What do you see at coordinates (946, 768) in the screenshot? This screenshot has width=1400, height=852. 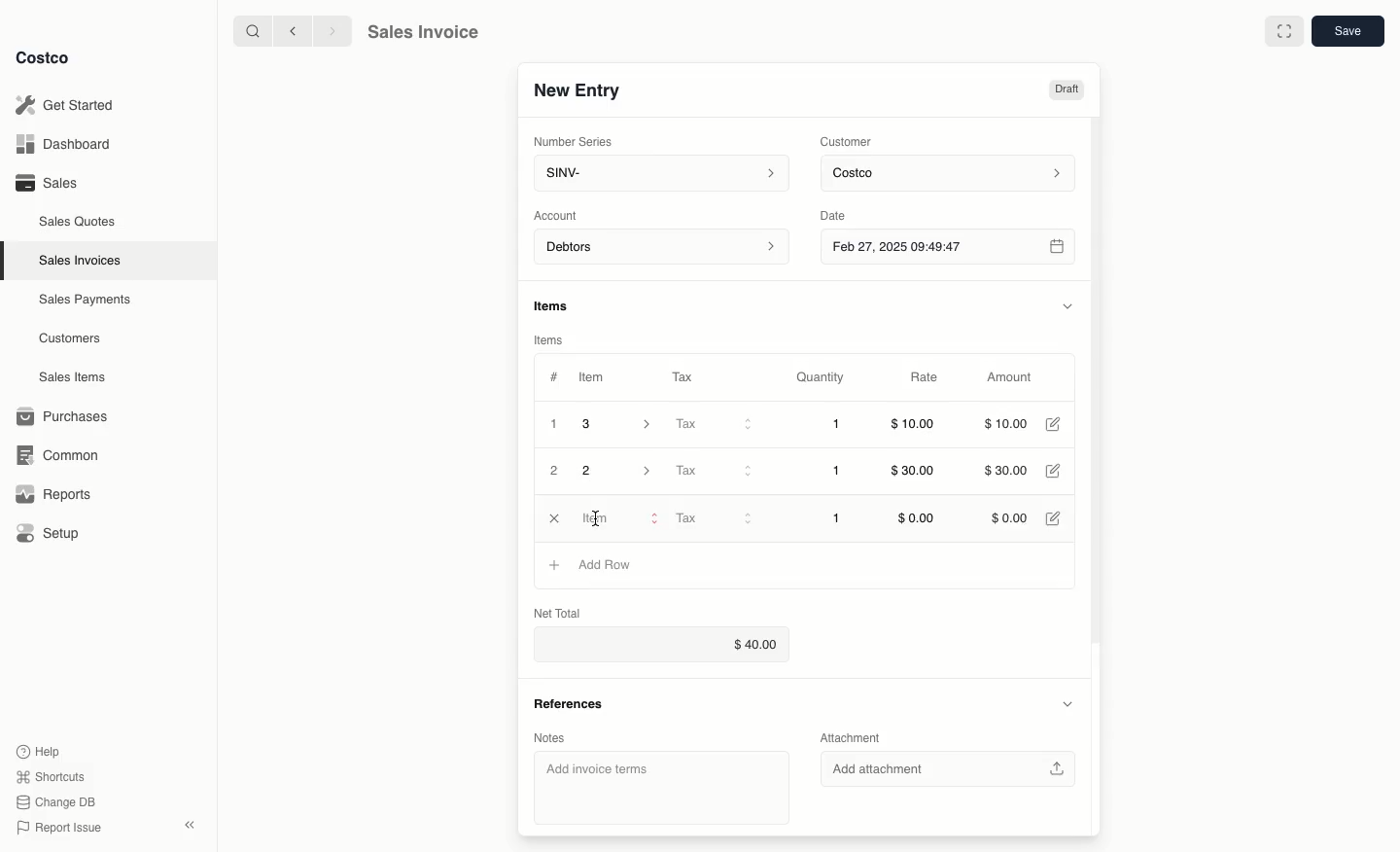 I see `Add attachment` at bounding box center [946, 768].